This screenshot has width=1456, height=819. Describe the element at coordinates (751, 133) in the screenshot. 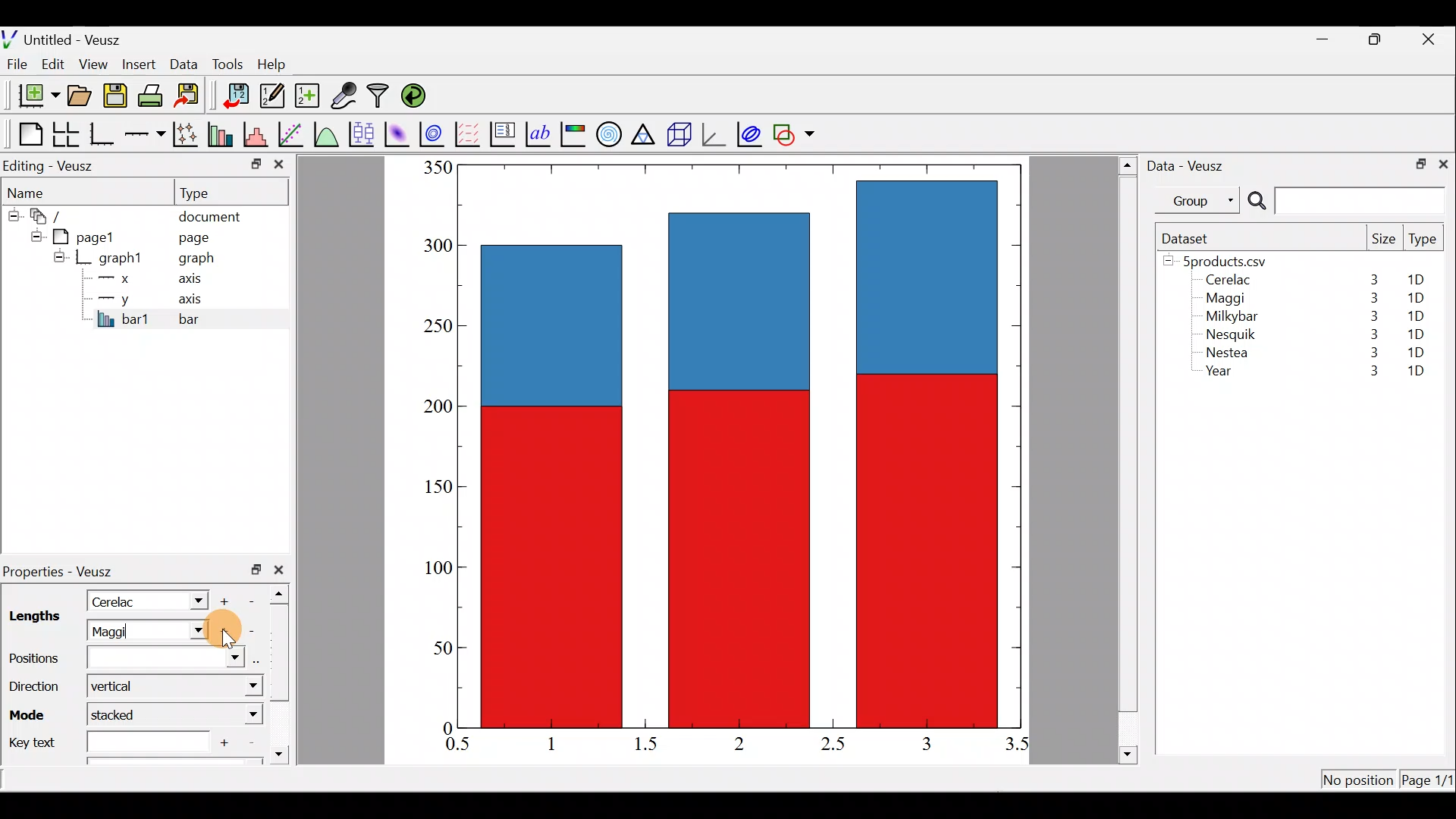

I see `plot covariance ellipses` at that location.